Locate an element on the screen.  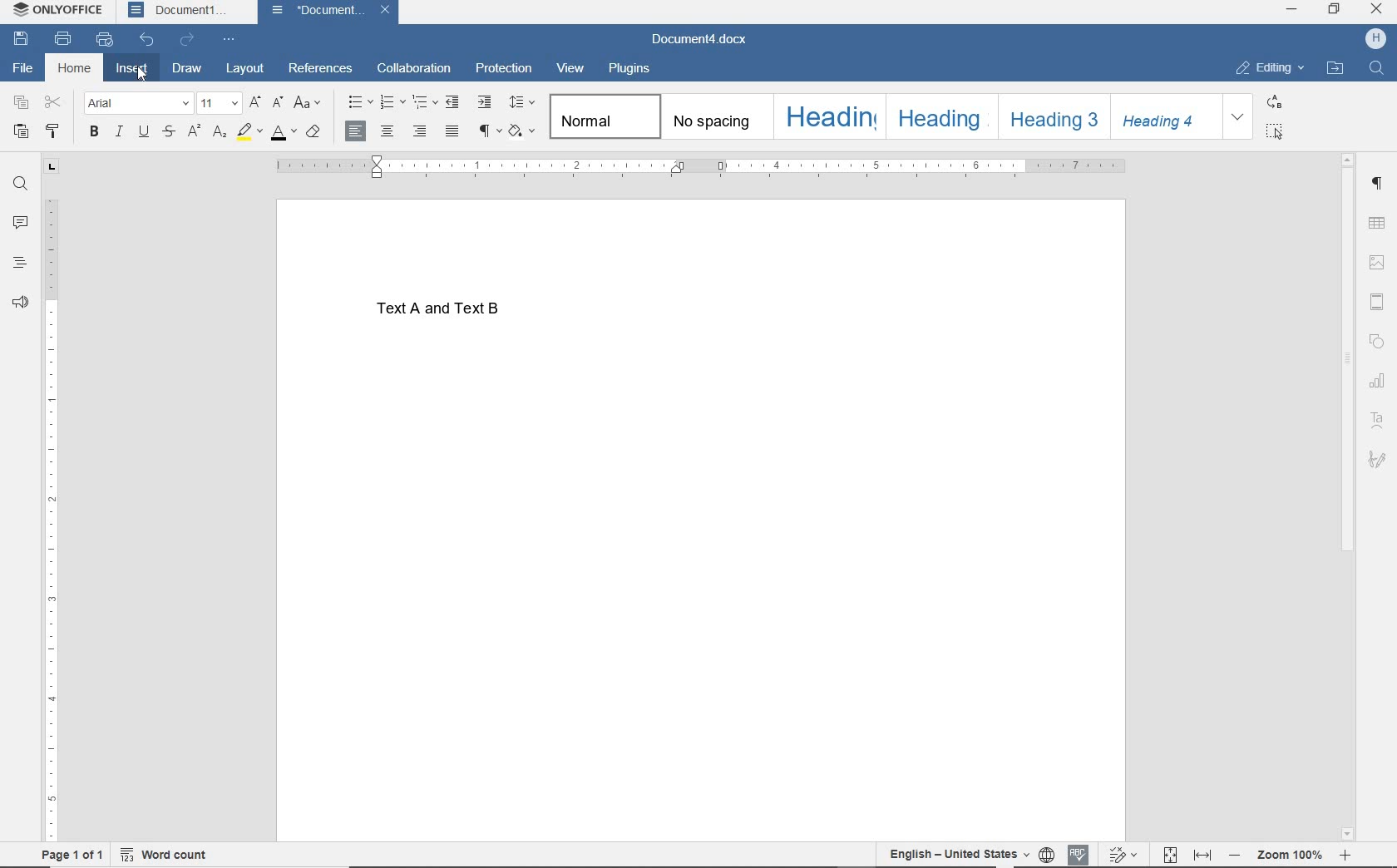
TEXT LANGUAGE is located at coordinates (957, 853).